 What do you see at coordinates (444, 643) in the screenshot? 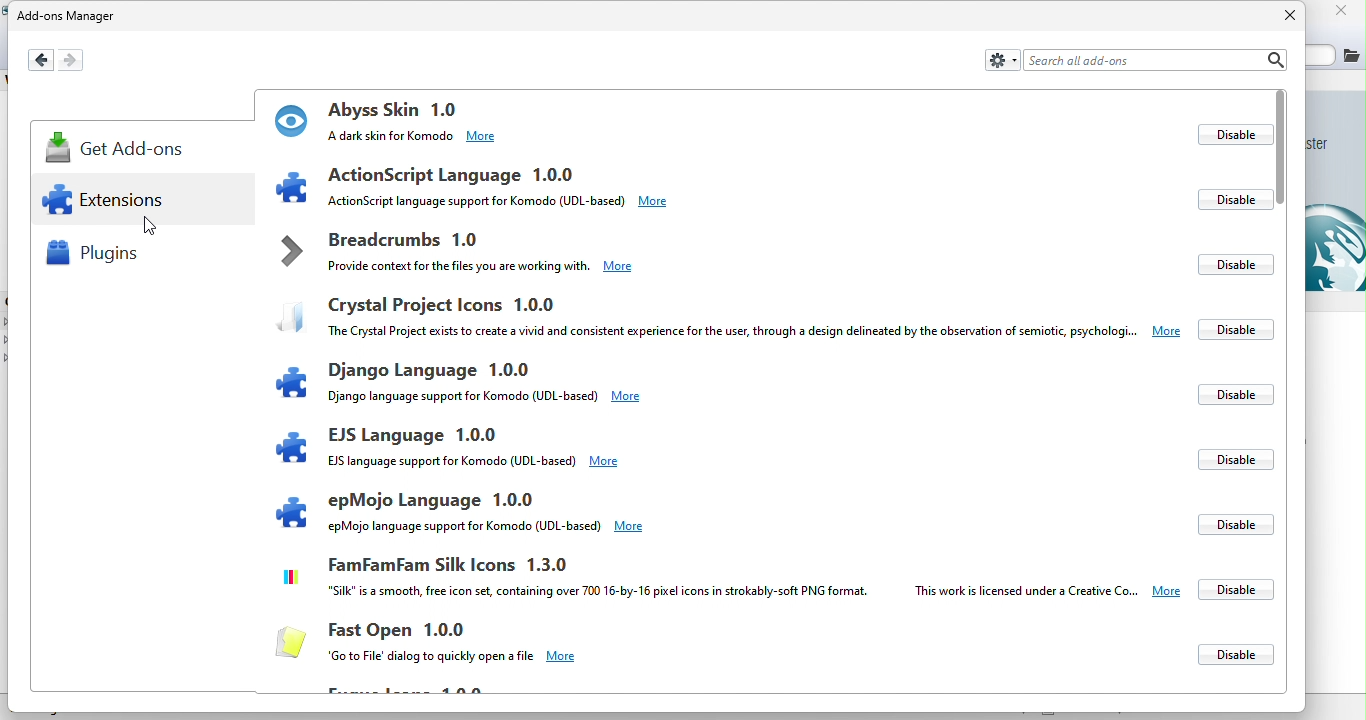
I see `fast open 1.0.0` at bounding box center [444, 643].